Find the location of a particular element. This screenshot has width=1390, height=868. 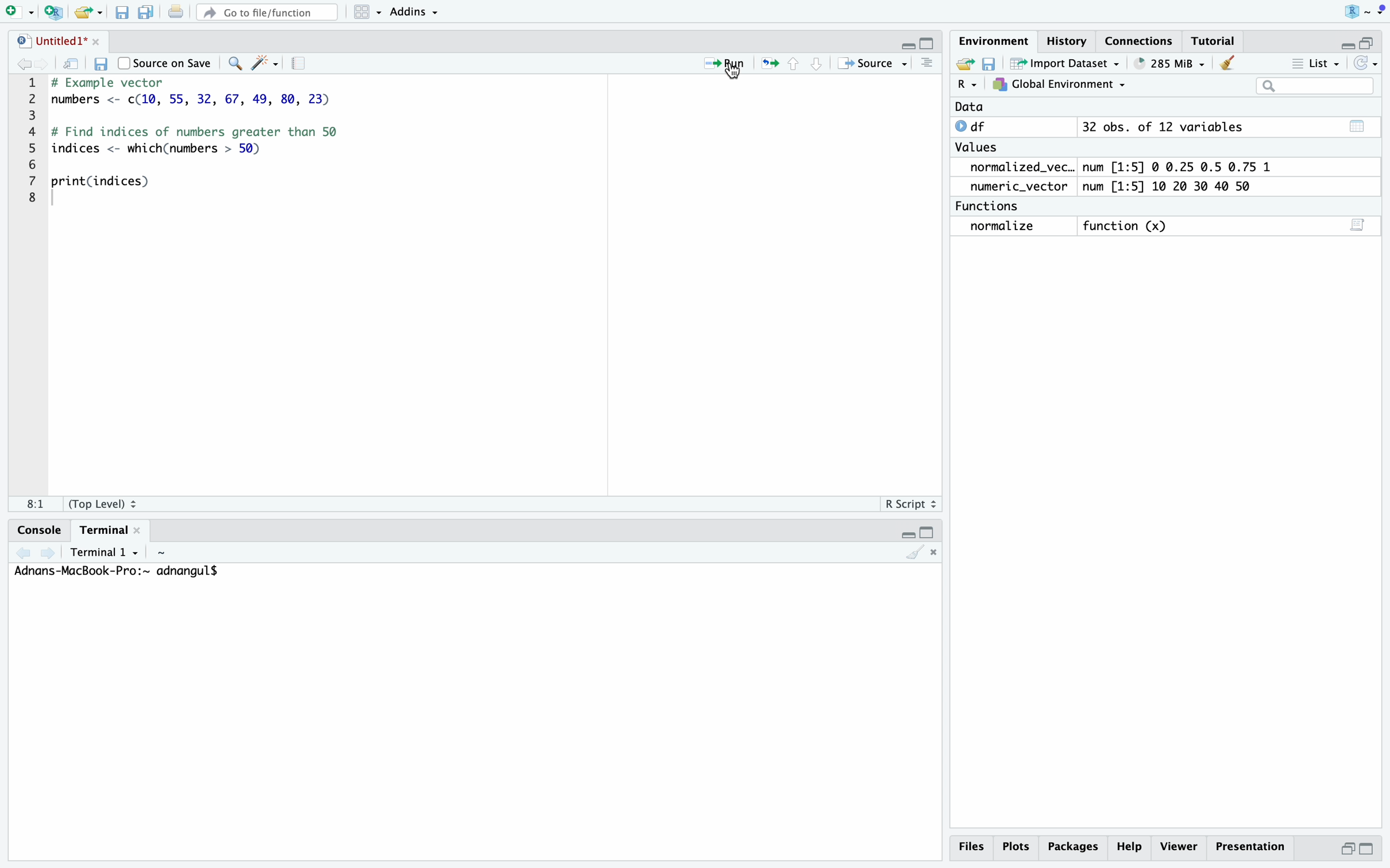

SAVE is located at coordinates (989, 64).